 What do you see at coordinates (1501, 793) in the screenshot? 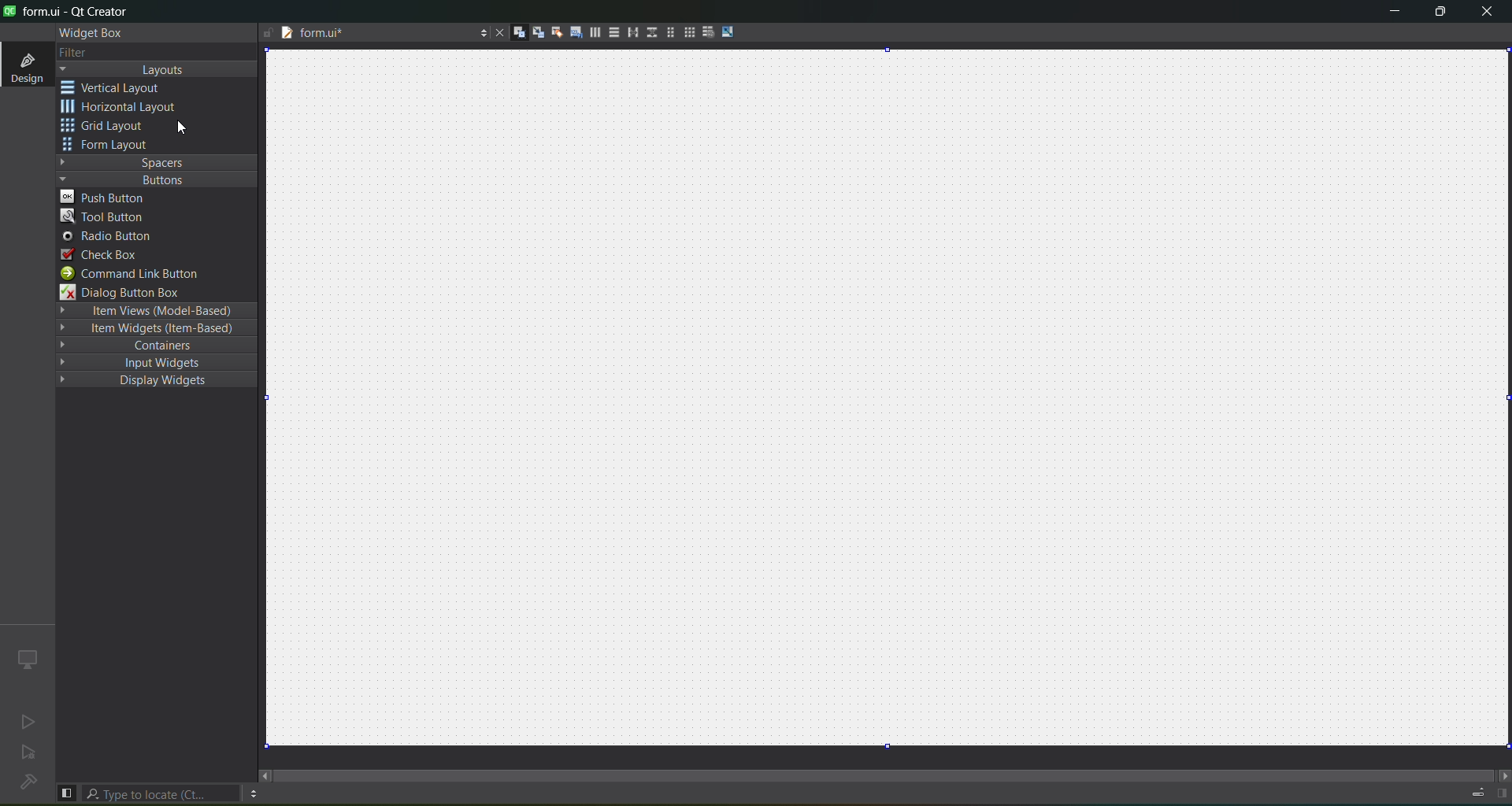
I see `show/hide right pane` at bounding box center [1501, 793].